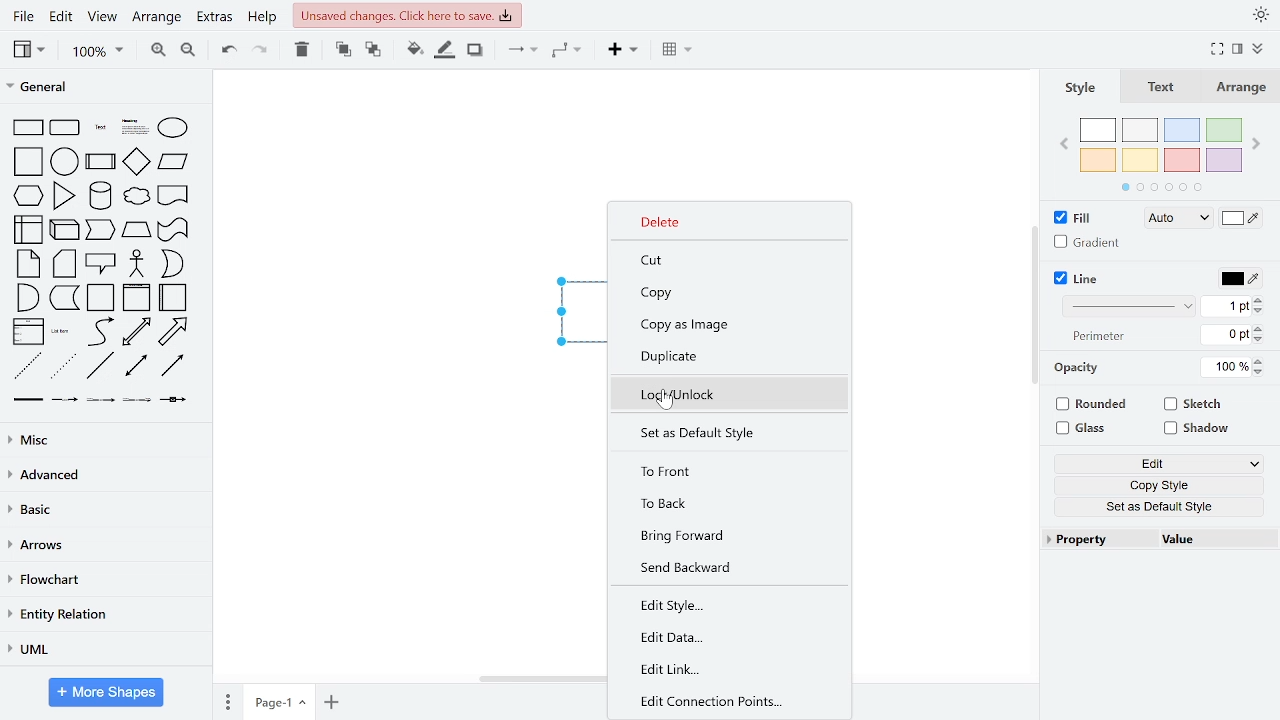  What do you see at coordinates (1260, 13) in the screenshot?
I see `appearence` at bounding box center [1260, 13].